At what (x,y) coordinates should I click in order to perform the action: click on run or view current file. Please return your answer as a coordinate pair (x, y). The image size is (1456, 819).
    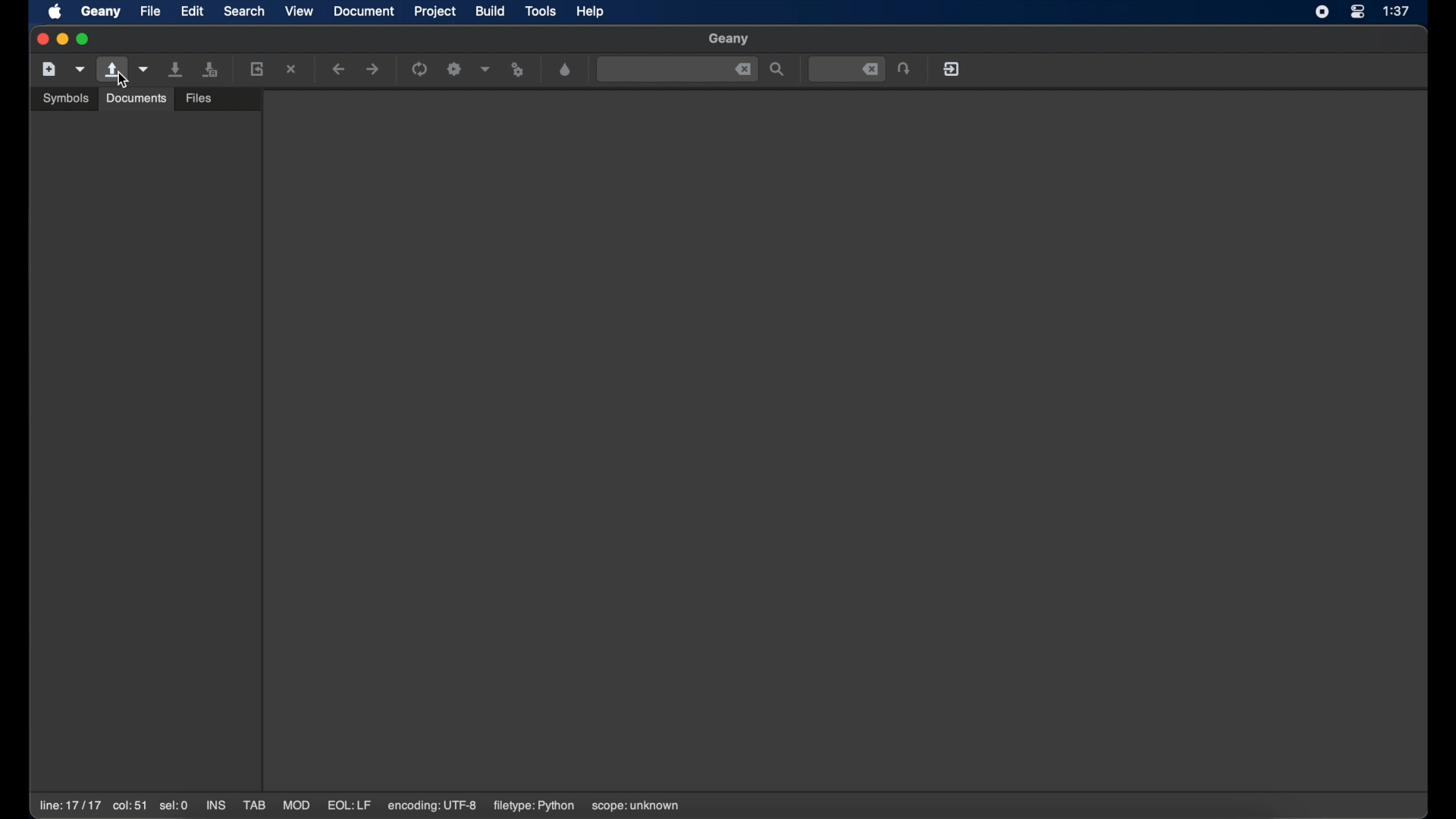
    Looking at the image, I should click on (519, 69).